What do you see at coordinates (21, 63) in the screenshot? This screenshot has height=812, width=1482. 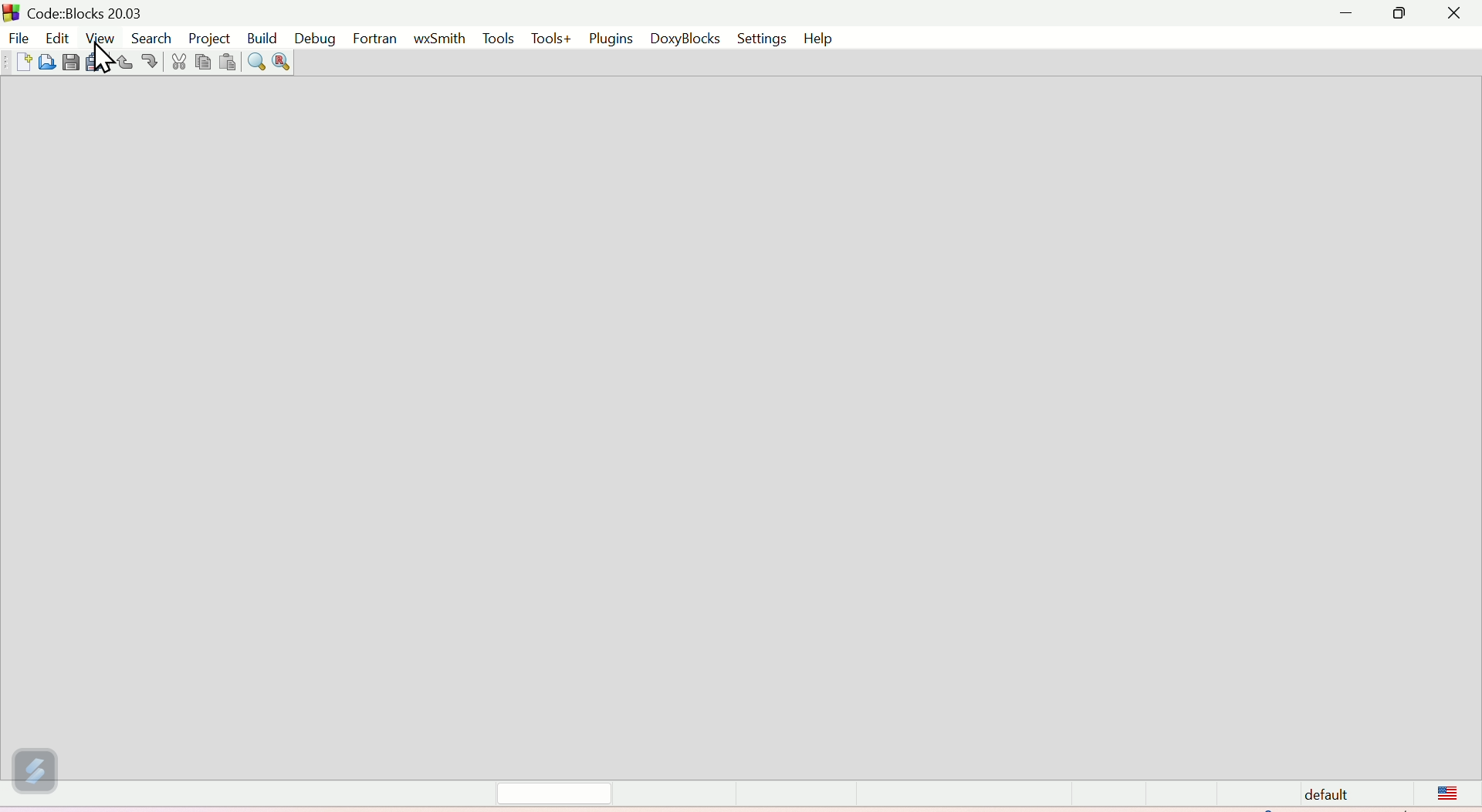 I see `` at bounding box center [21, 63].